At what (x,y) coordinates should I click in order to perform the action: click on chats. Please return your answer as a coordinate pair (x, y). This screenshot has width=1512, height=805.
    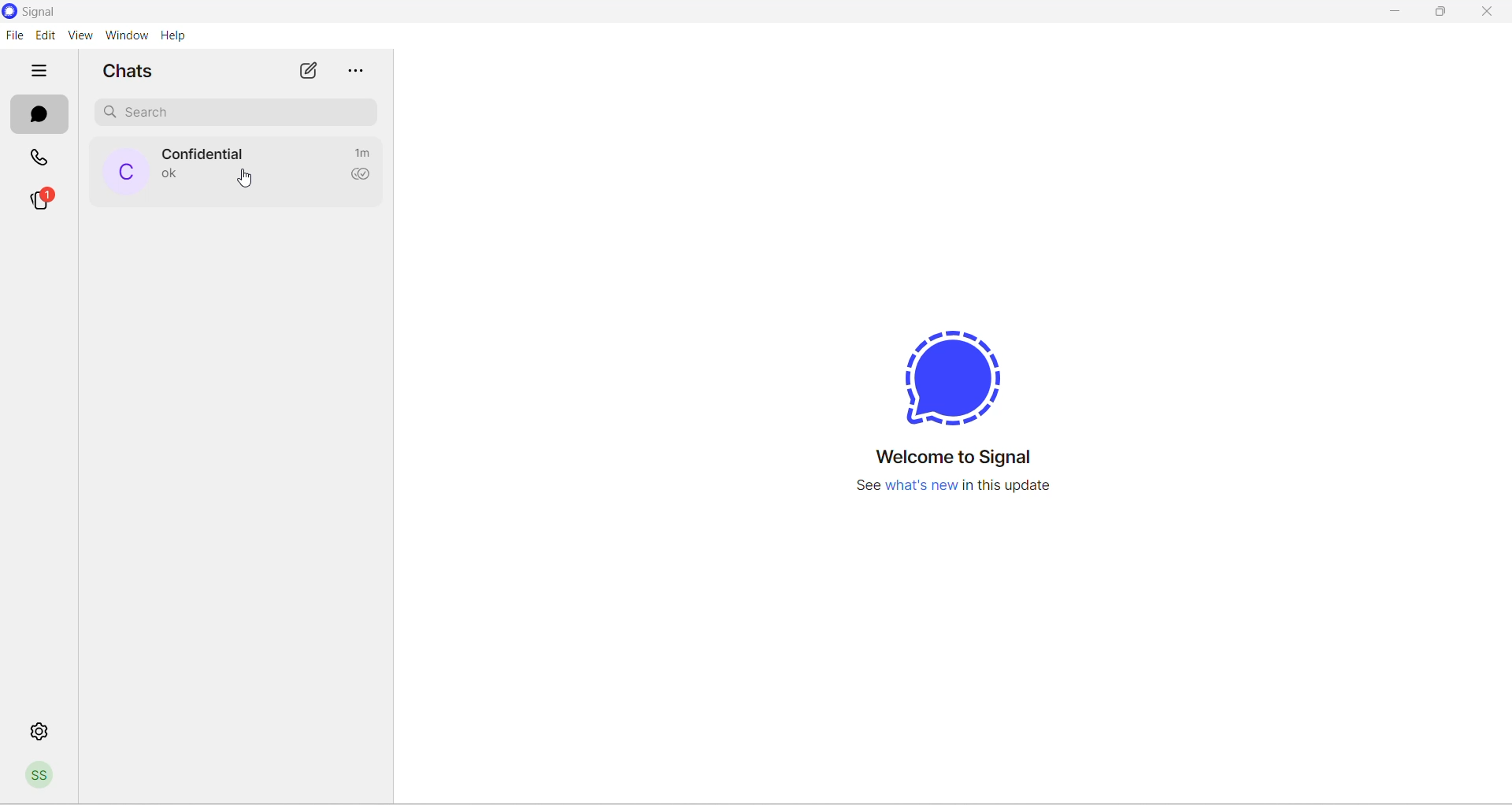
    Looking at the image, I should click on (37, 114).